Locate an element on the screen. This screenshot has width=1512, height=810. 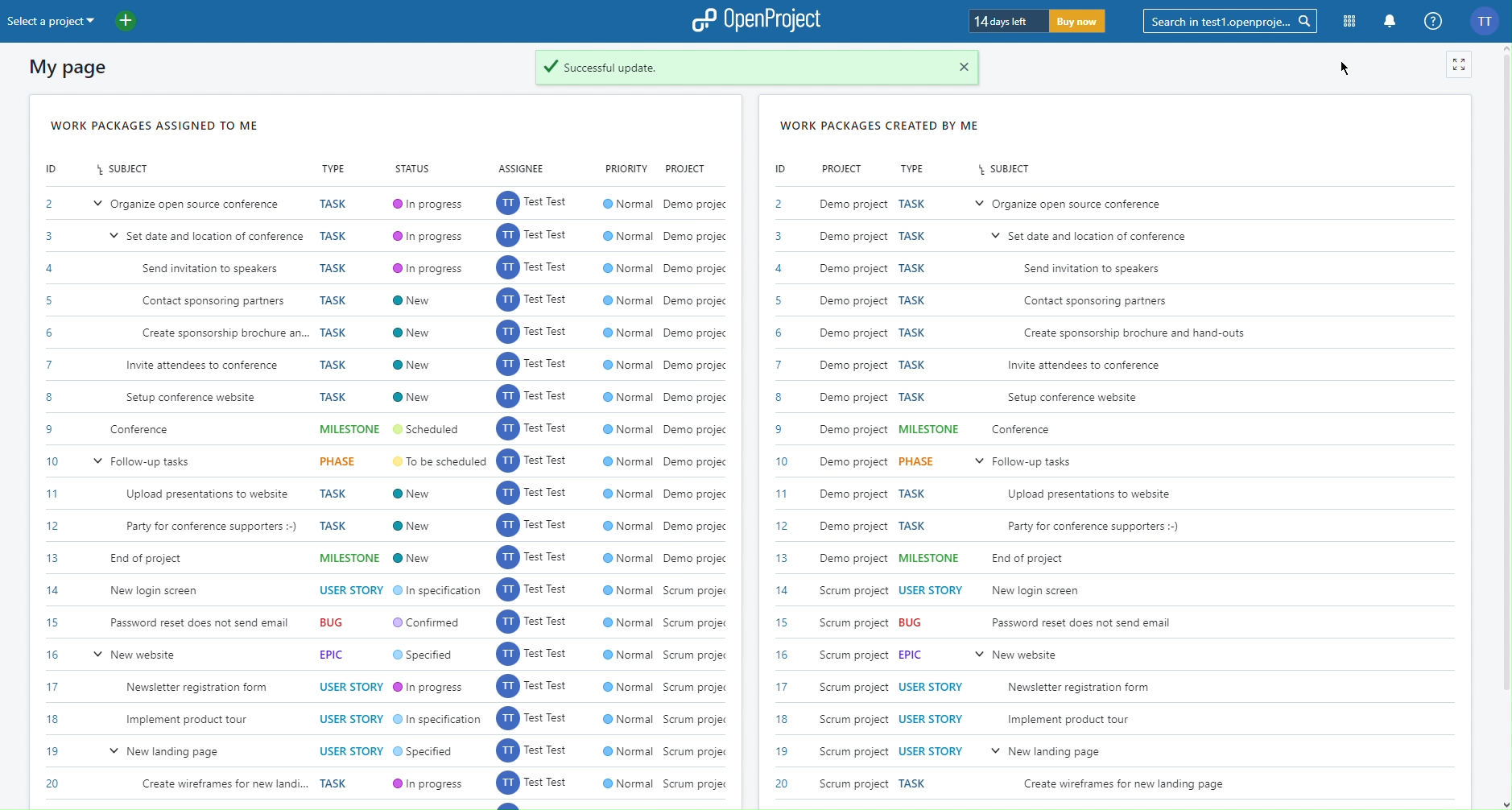
Bug is located at coordinates (913, 622).